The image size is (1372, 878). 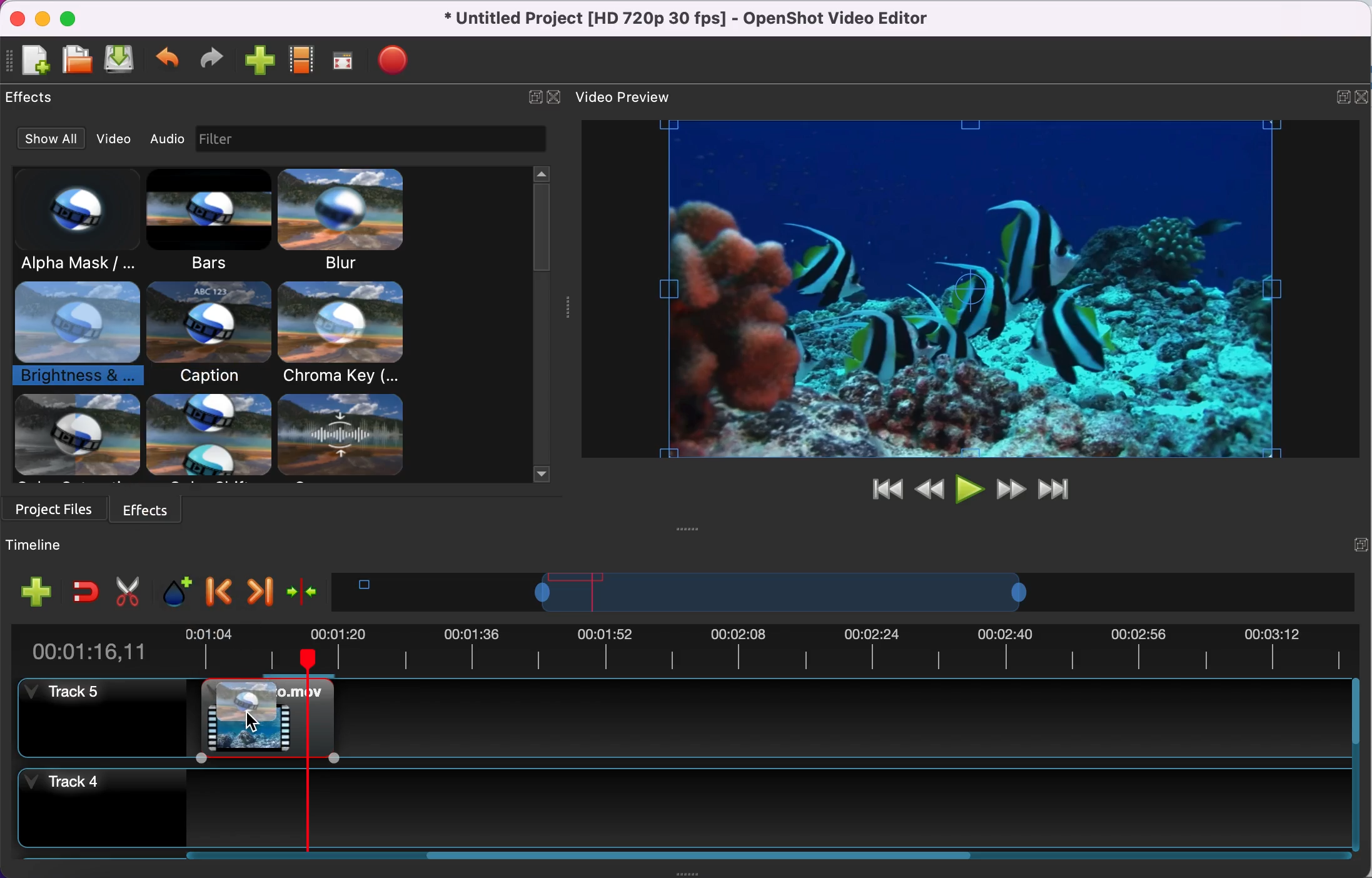 I want to click on Cursor, so click(x=252, y=722).